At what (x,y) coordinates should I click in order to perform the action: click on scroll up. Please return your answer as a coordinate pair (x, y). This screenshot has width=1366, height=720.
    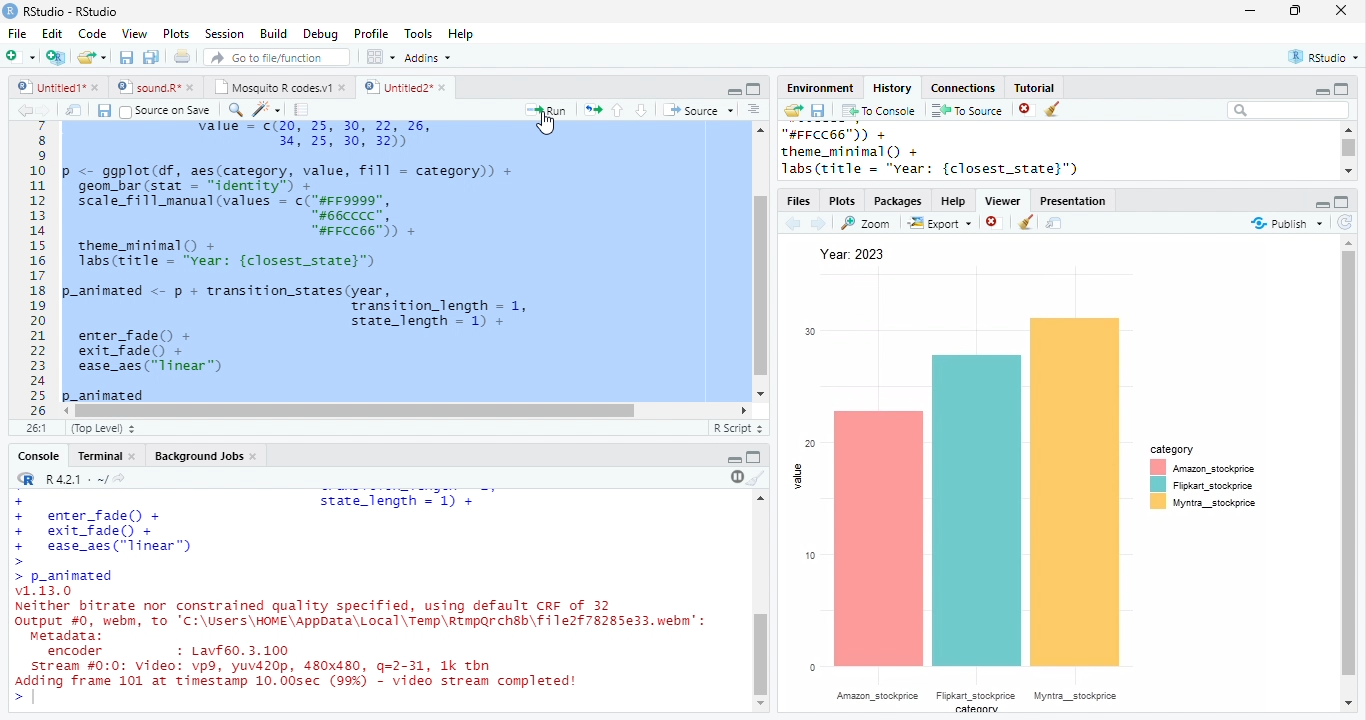
    Looking at the image, I should click on (1348, 242).